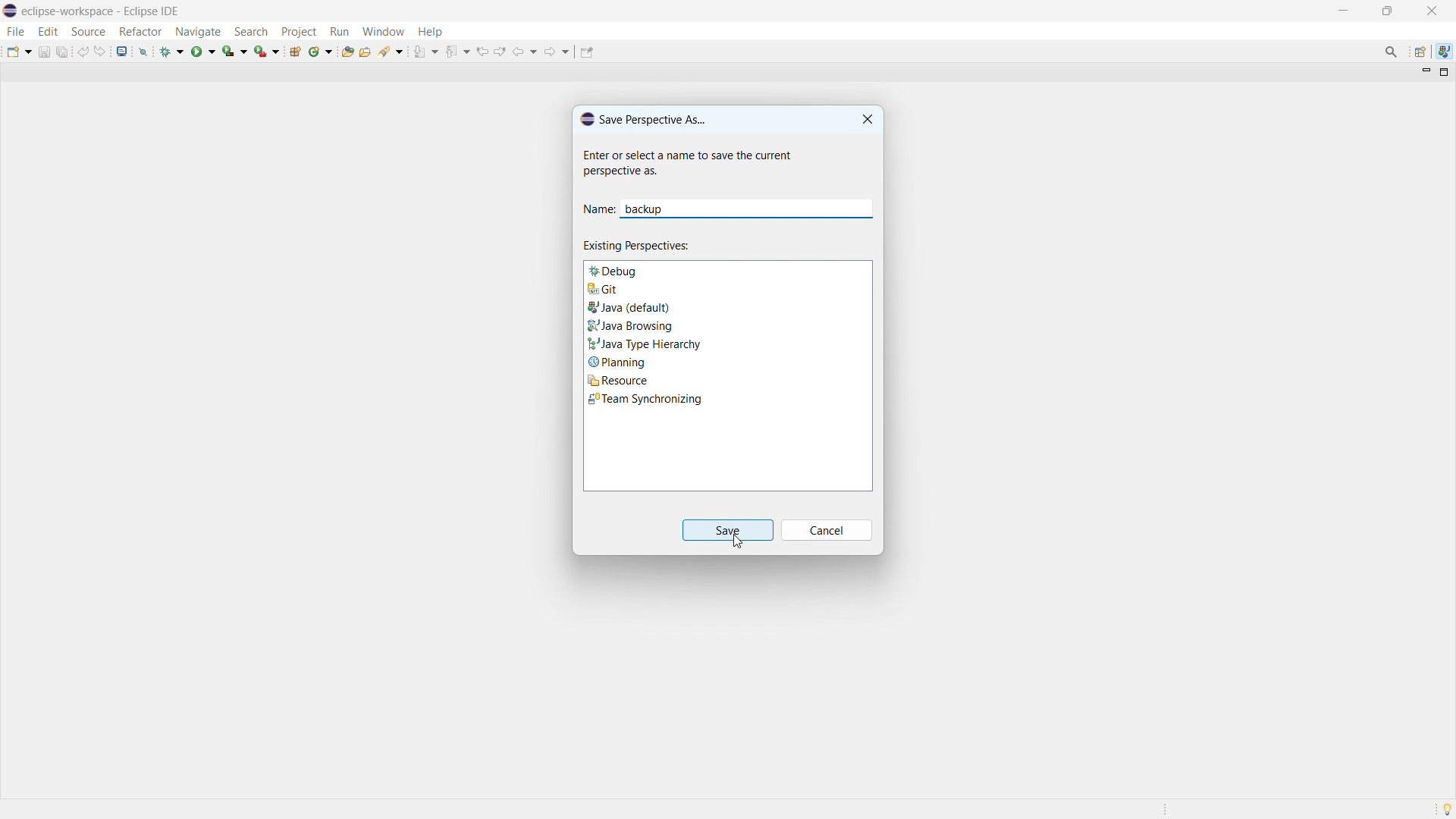 The width and height of the screenshot is (1456, 819). Describe the element at coordinates (1445, 52) in the screenshot. I see `java` at that location.